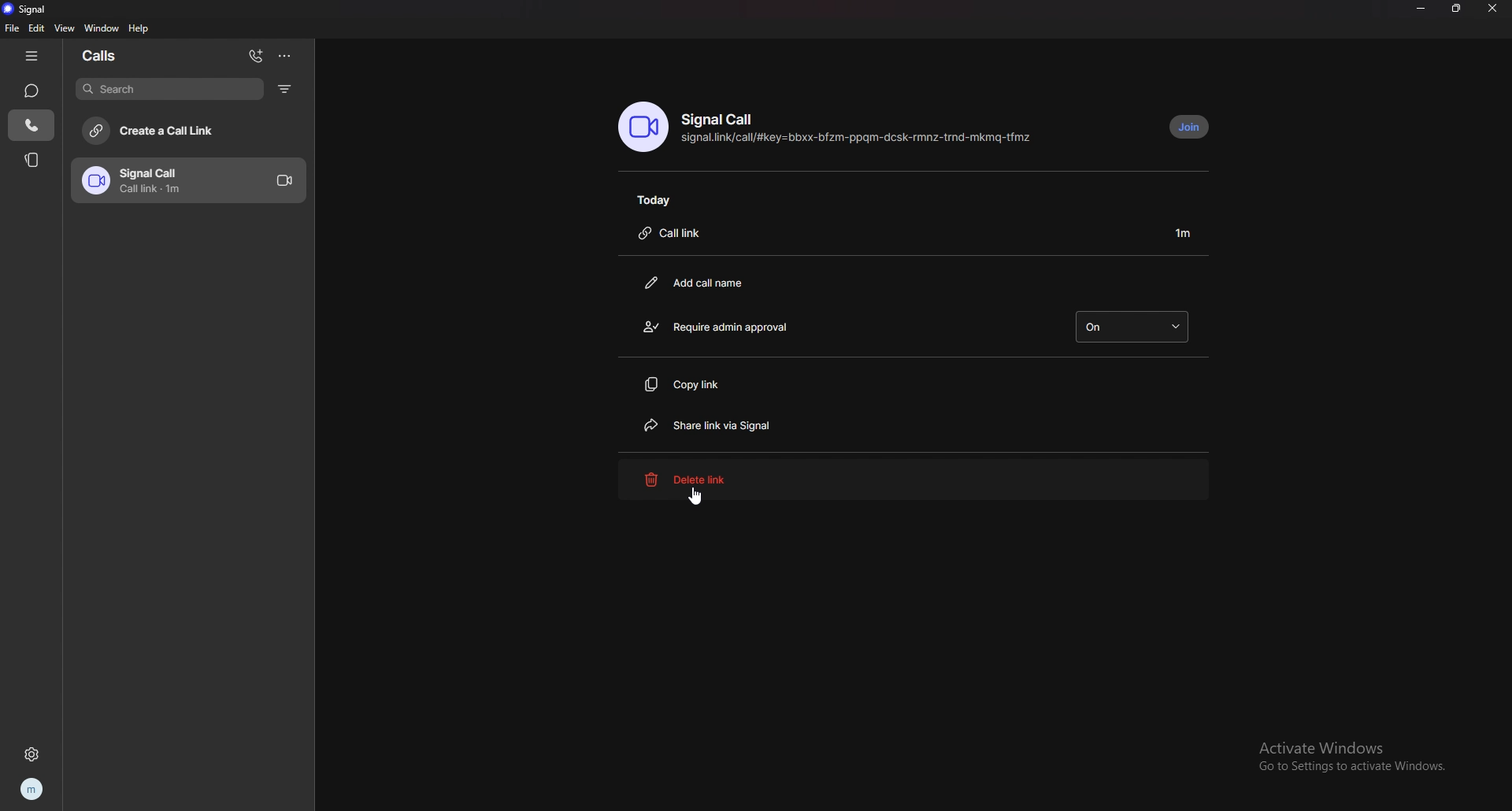 The width and height of the screenshot is (1512, 811). What do you see at coordinates (31, 755) in the screenshot?
I see `settings` at bounding box center [31, 755].